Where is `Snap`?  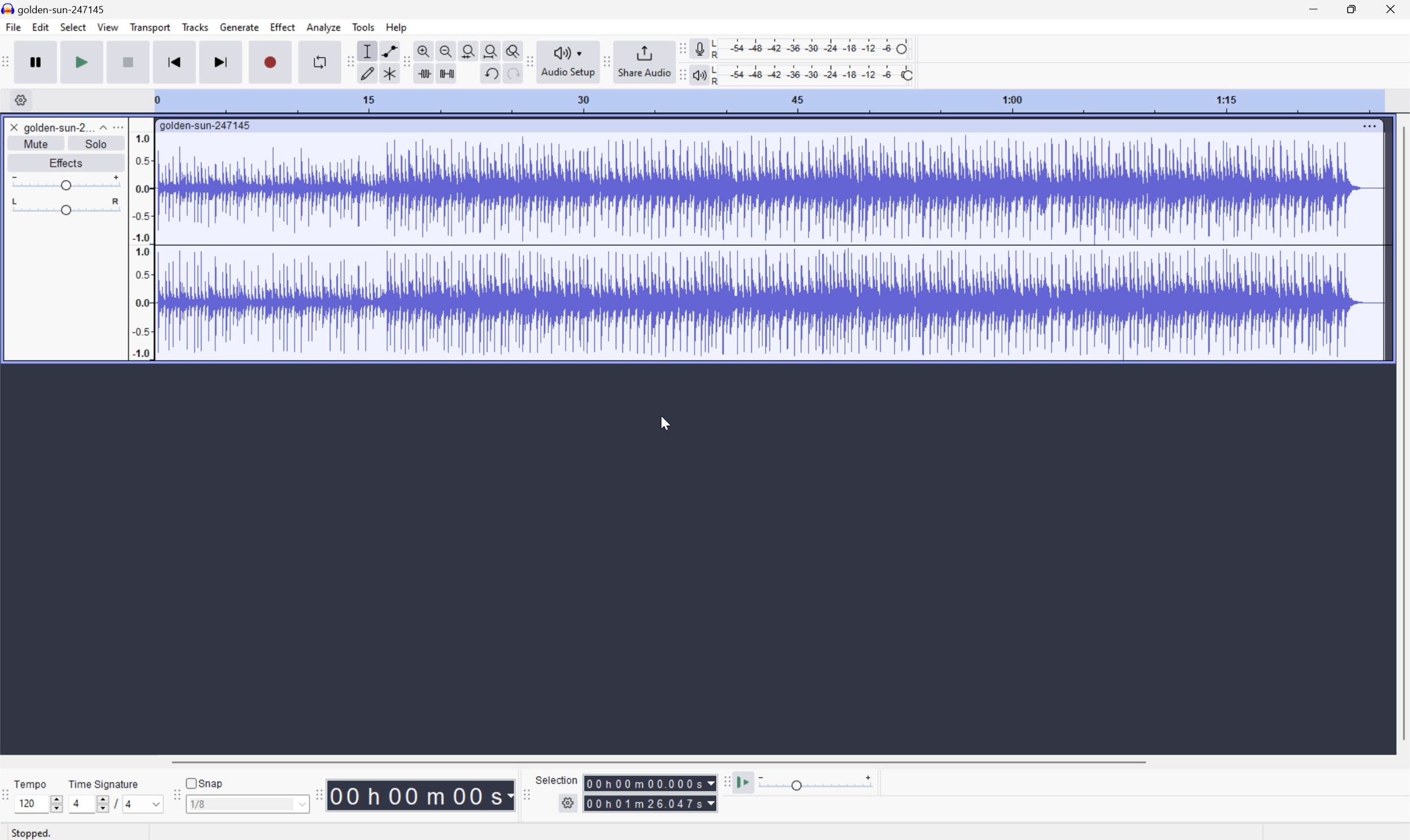
Snap is located at coordinates (206, 782).